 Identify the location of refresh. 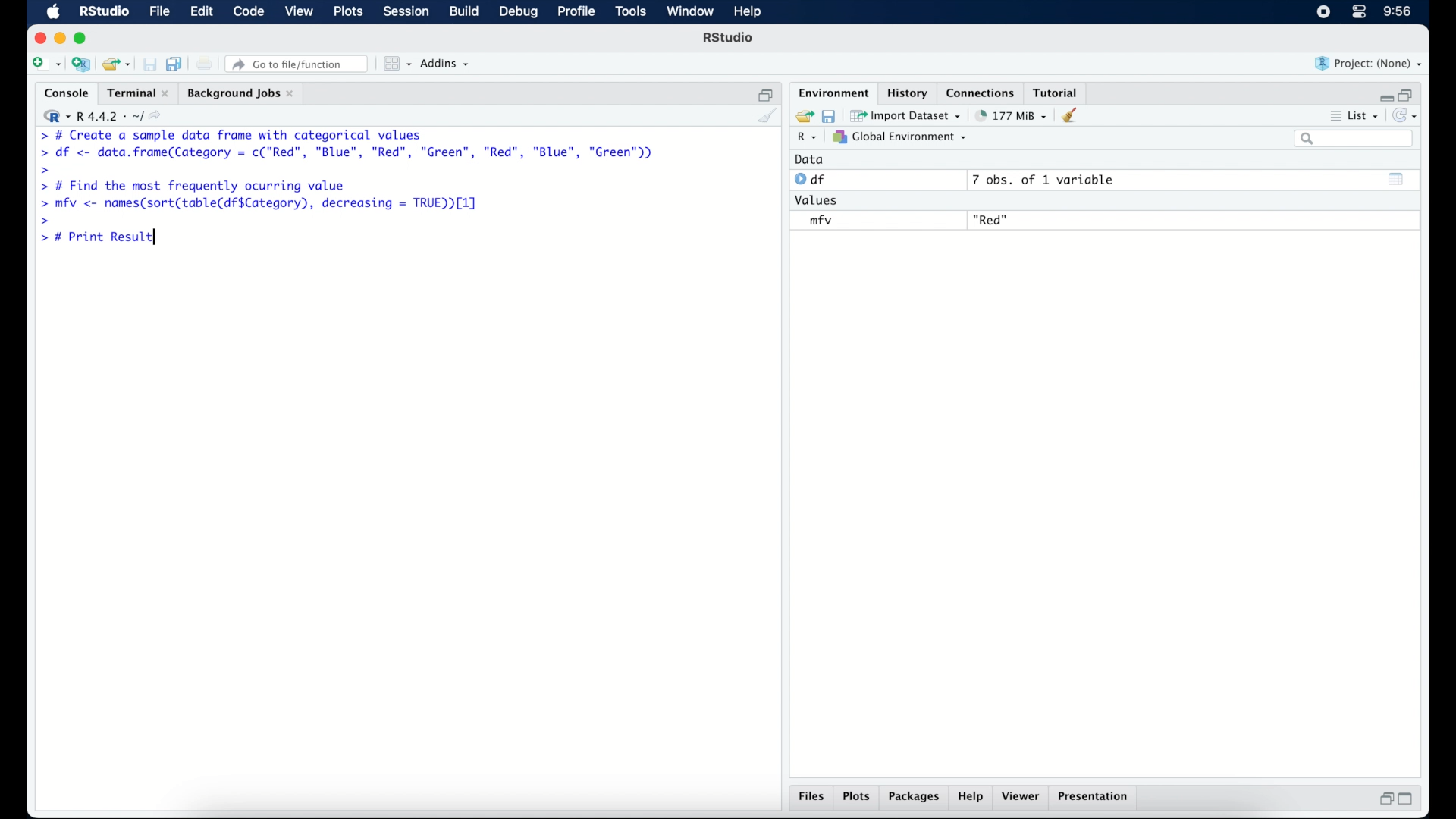
(1407, 115).